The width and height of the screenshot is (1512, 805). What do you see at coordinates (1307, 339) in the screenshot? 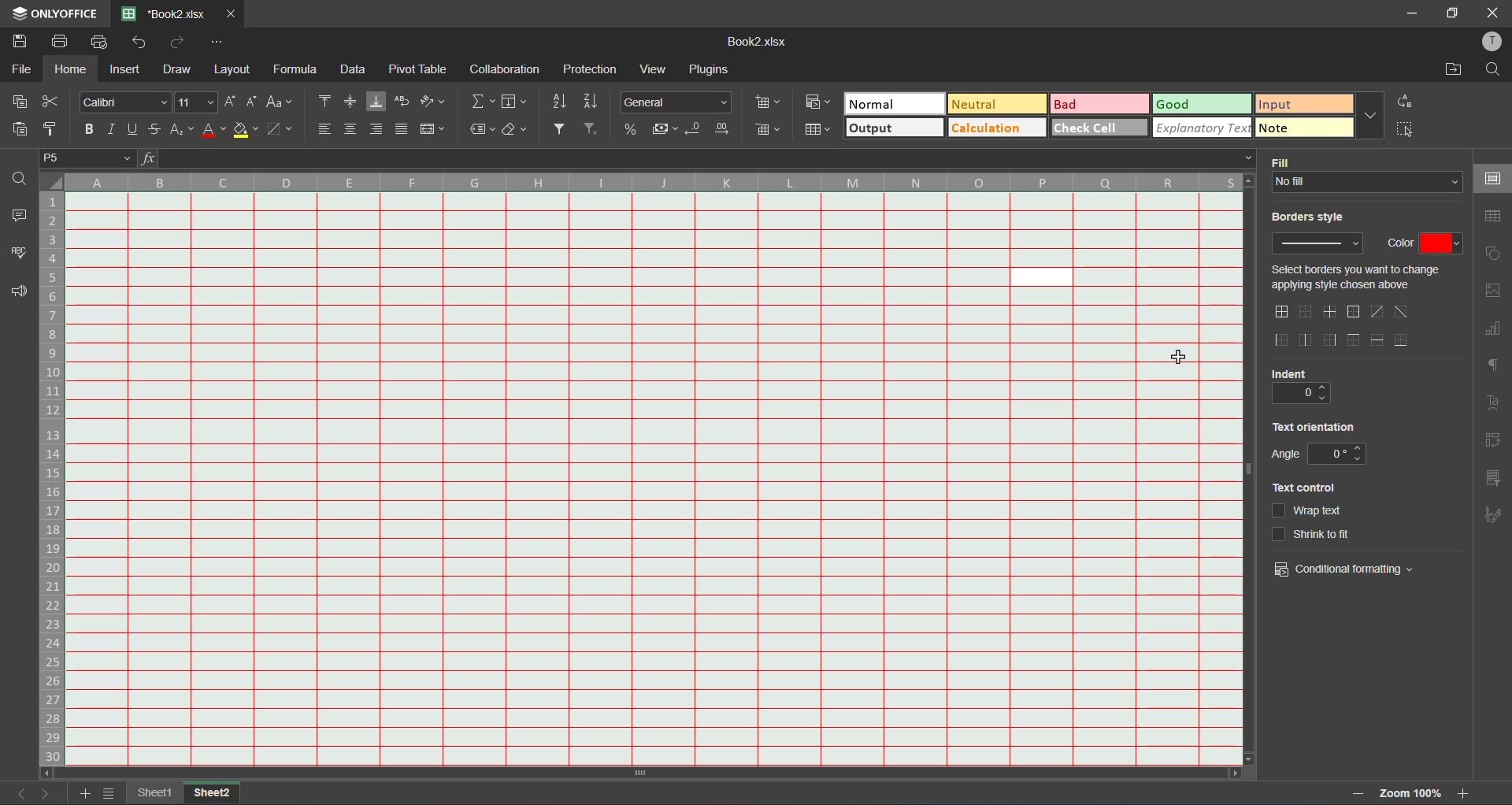
I see `vertical lines inner only` at bounding box center [1307, 339].